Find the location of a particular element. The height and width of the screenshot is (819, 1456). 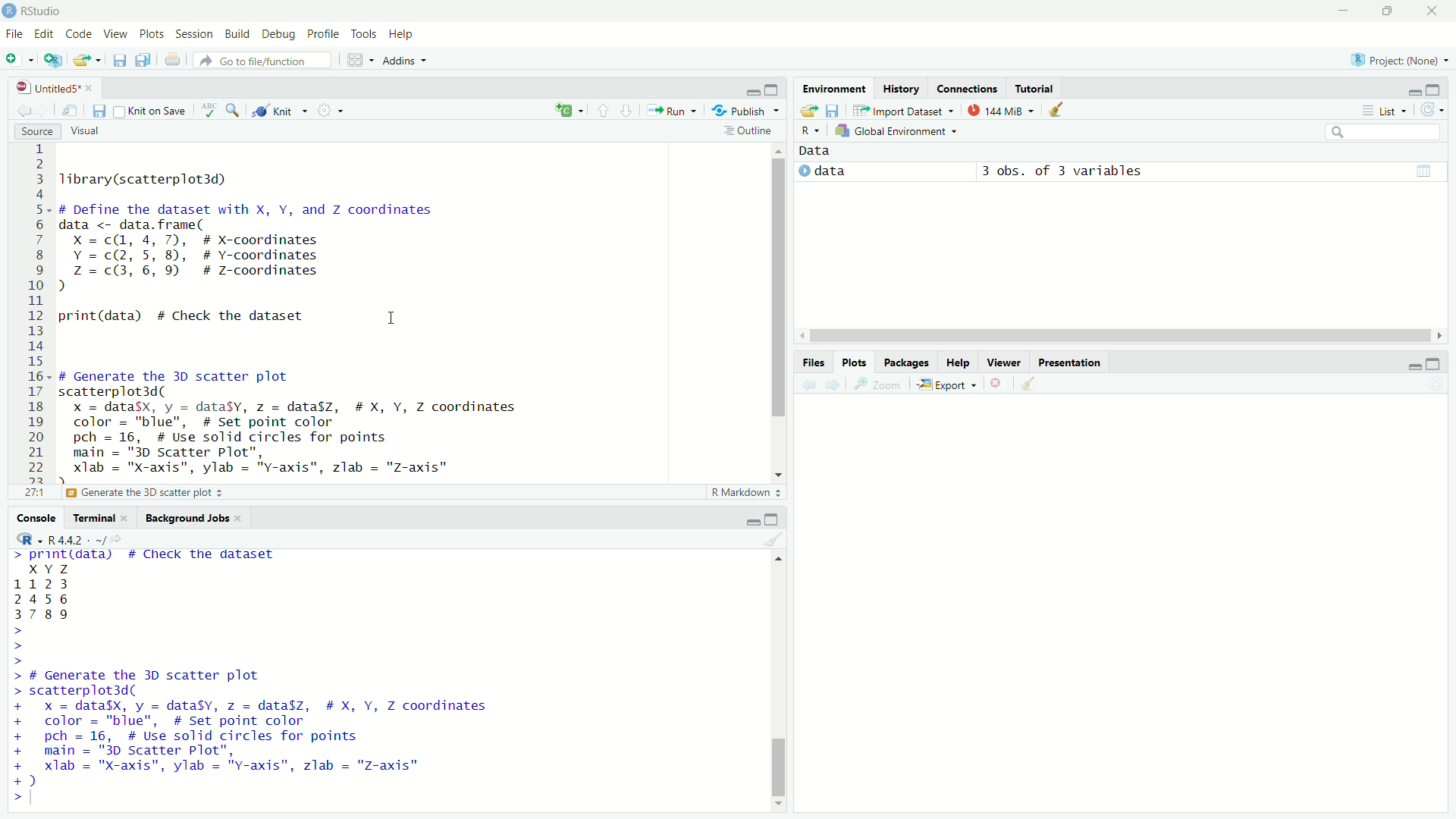

insert a new code chunk is located at coordinates (567, 108).